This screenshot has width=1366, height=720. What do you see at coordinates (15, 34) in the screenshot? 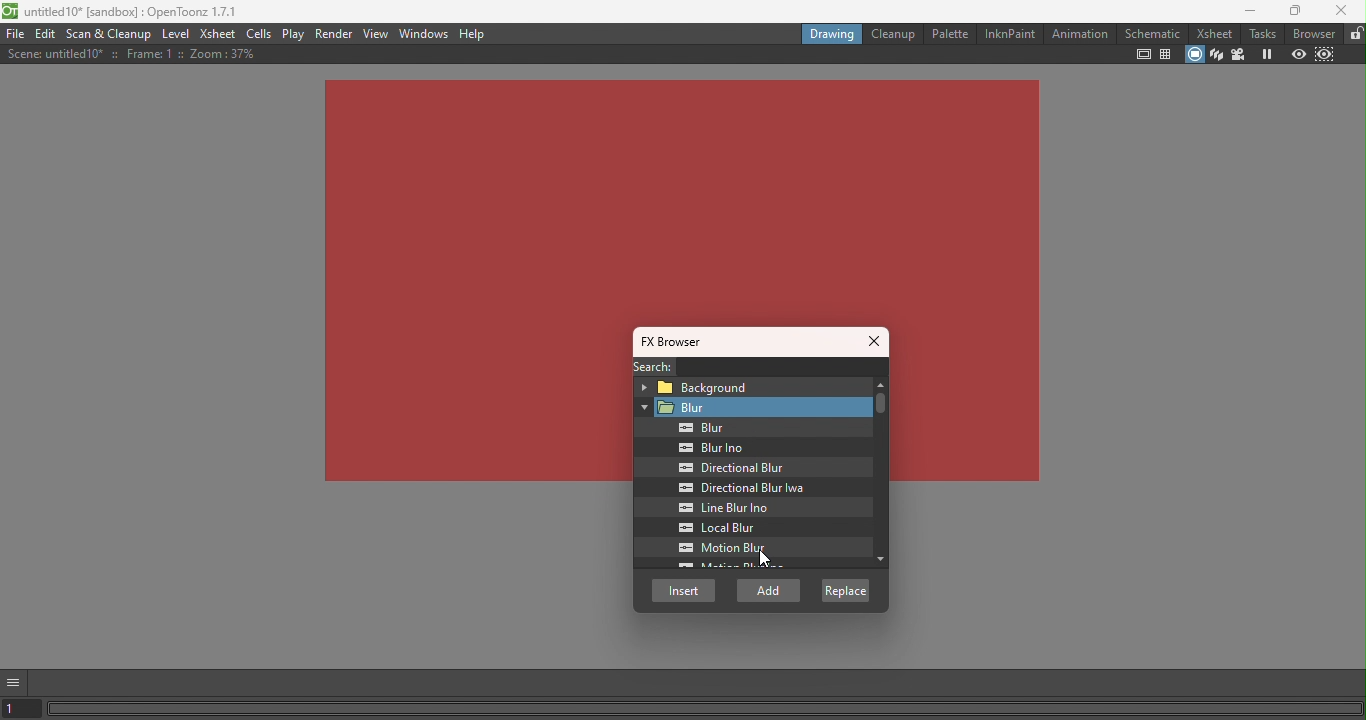
I see `File` at bounding box center [15, 34].